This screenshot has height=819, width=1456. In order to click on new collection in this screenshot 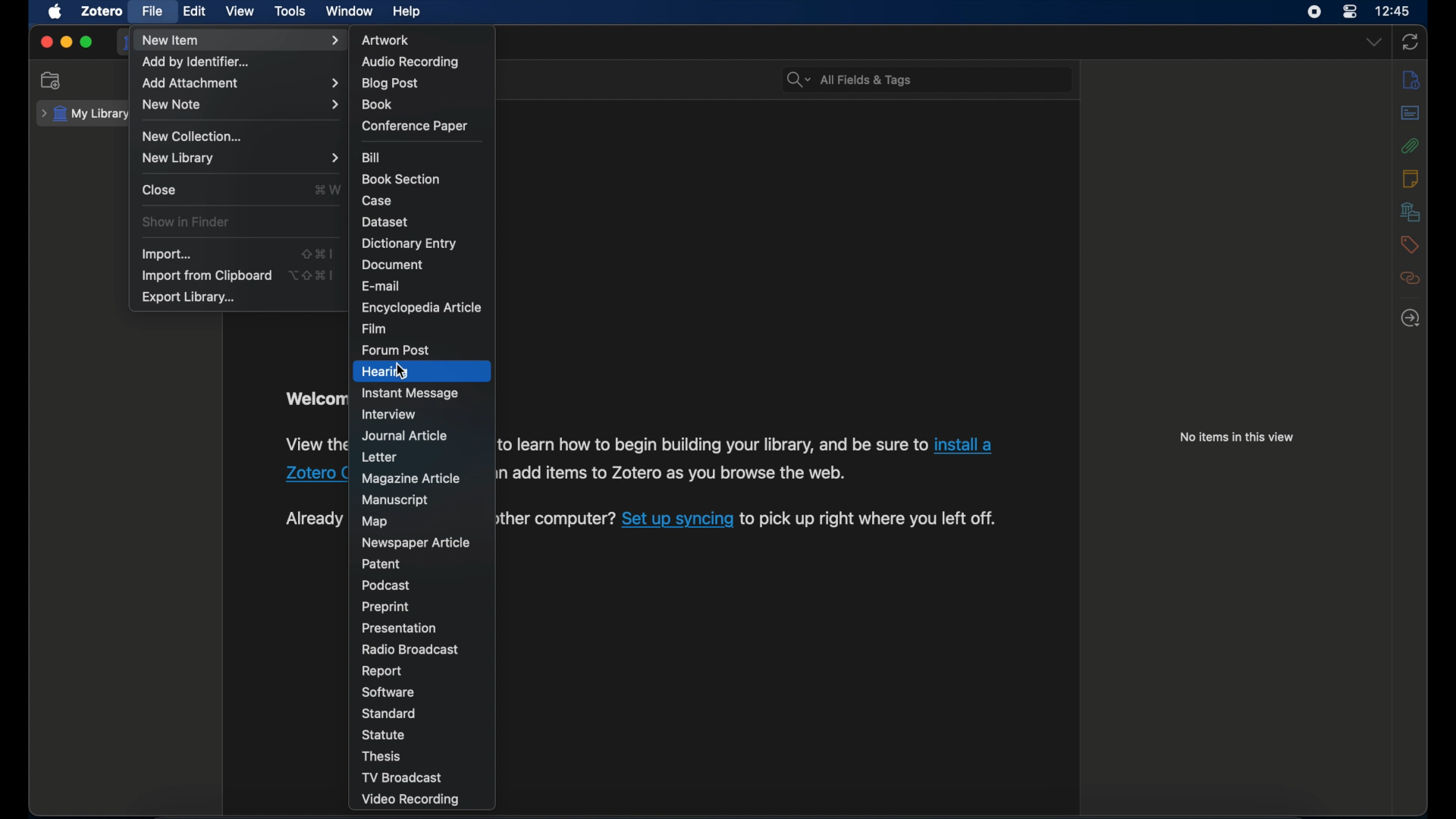, I will do `click(194, 136)`.